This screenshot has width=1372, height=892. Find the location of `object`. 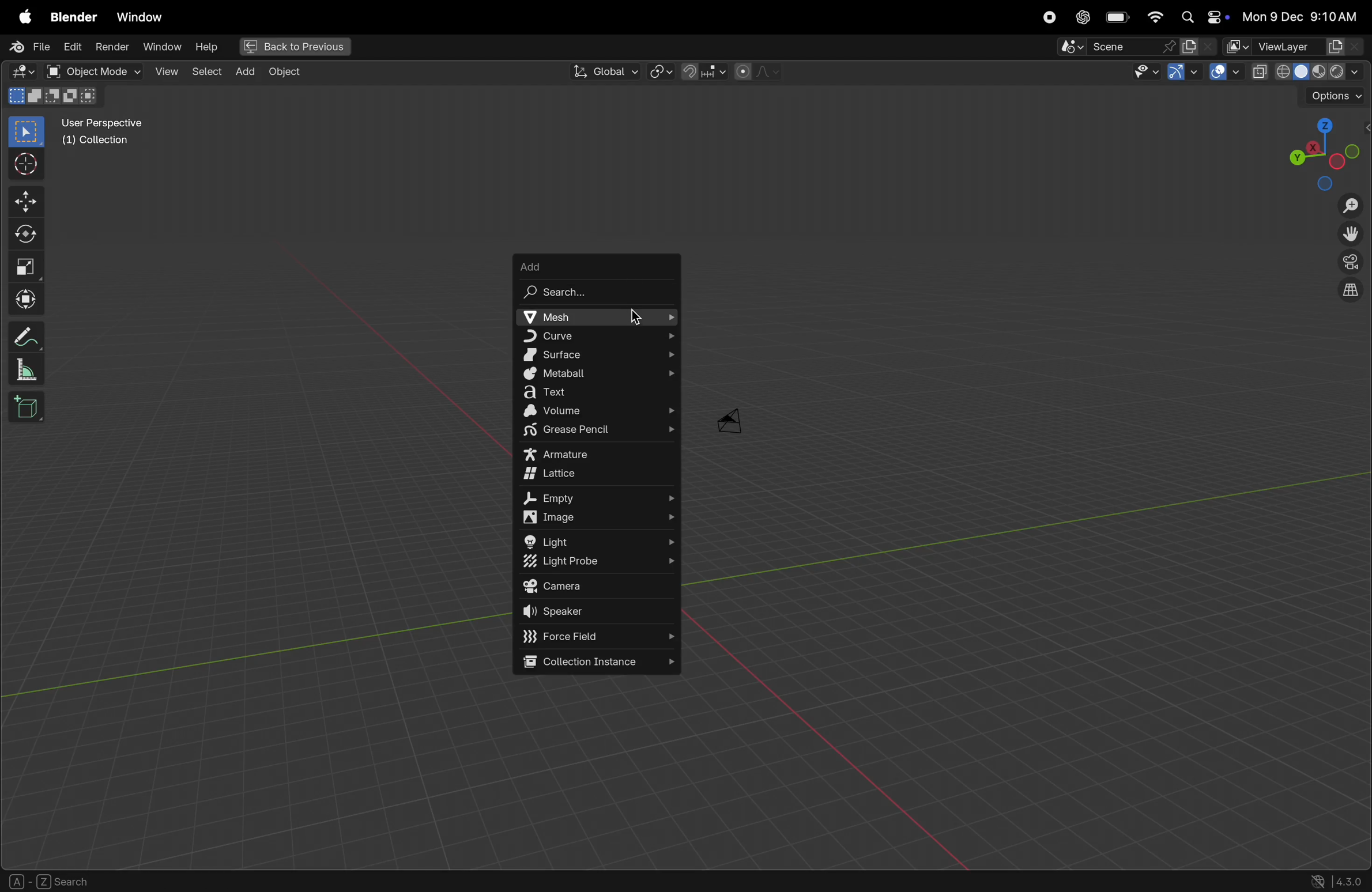

object is located at coordinates (285, 72).